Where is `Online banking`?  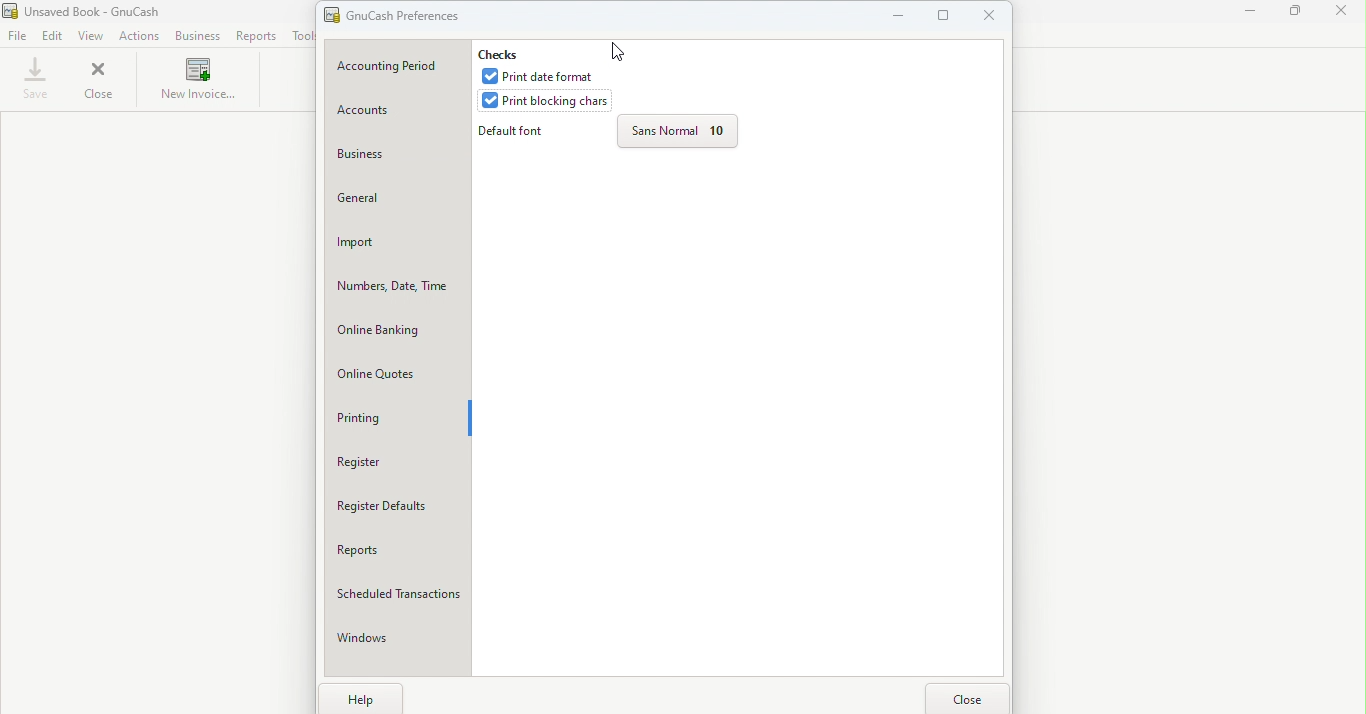 Online banking is located at coordinates (399, 329).